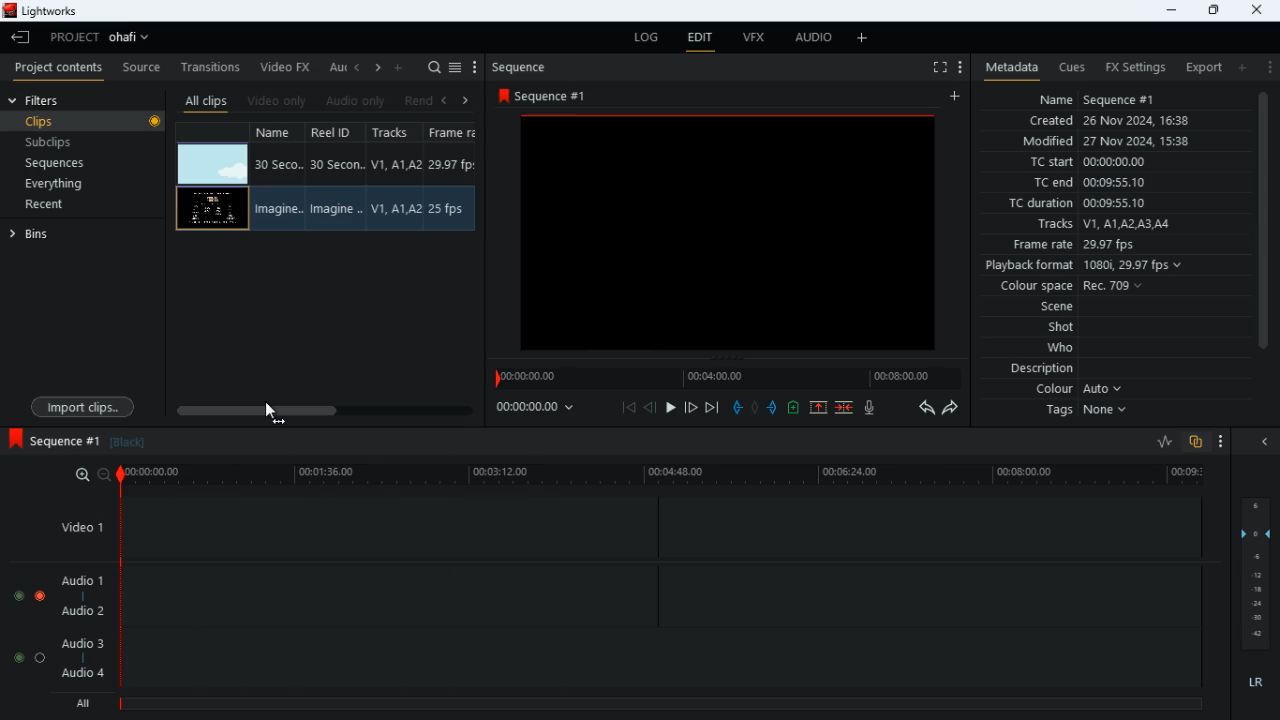 This screenshot has width=1280, height=720. Describe the element at coordinates (816, 37) in the screenshot. I see `audio` at that location.